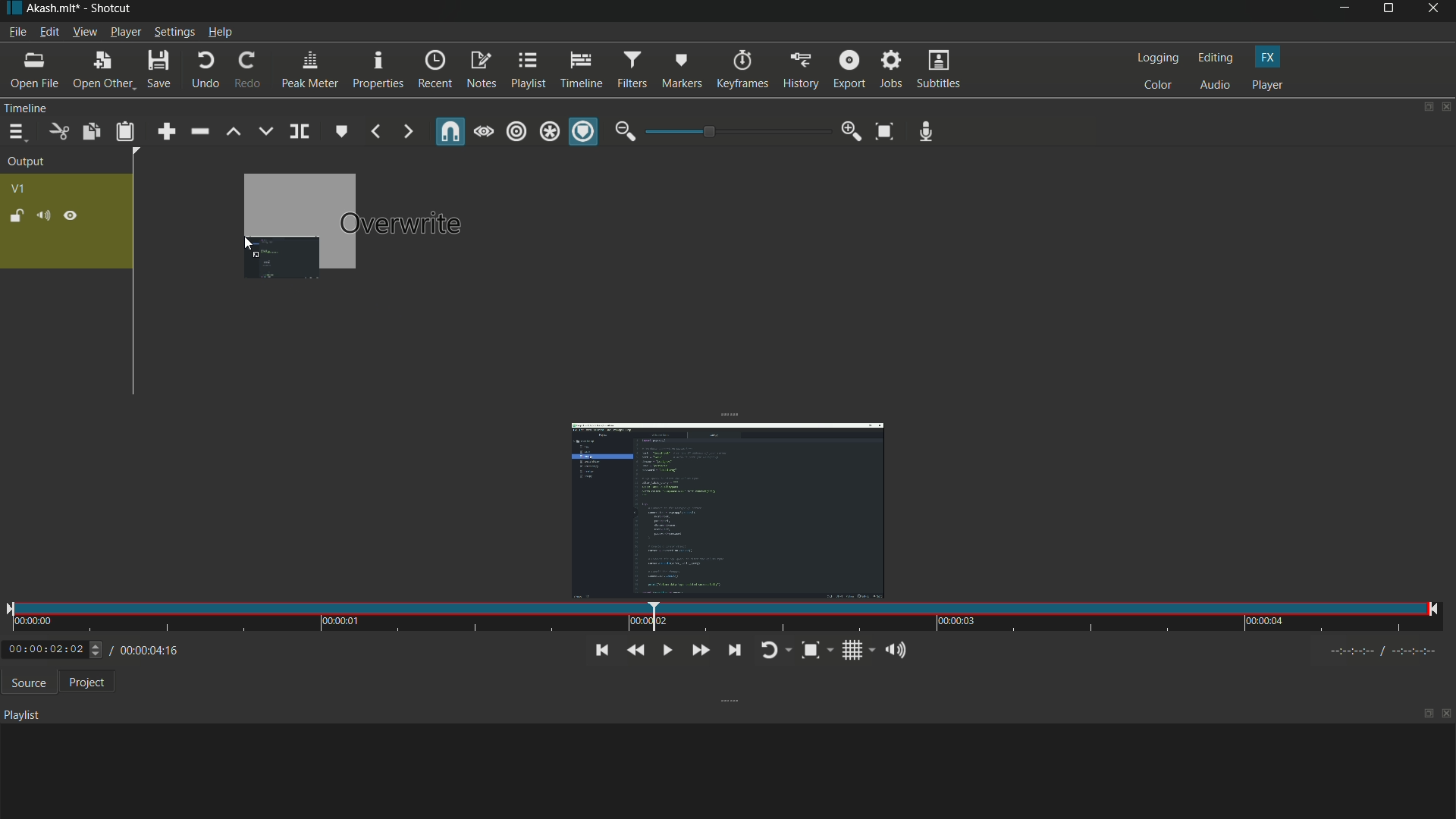 The image size is (1456, 819). Describe the element at coordinates (99, 71) in the screenshot. I see `open other` at that location.